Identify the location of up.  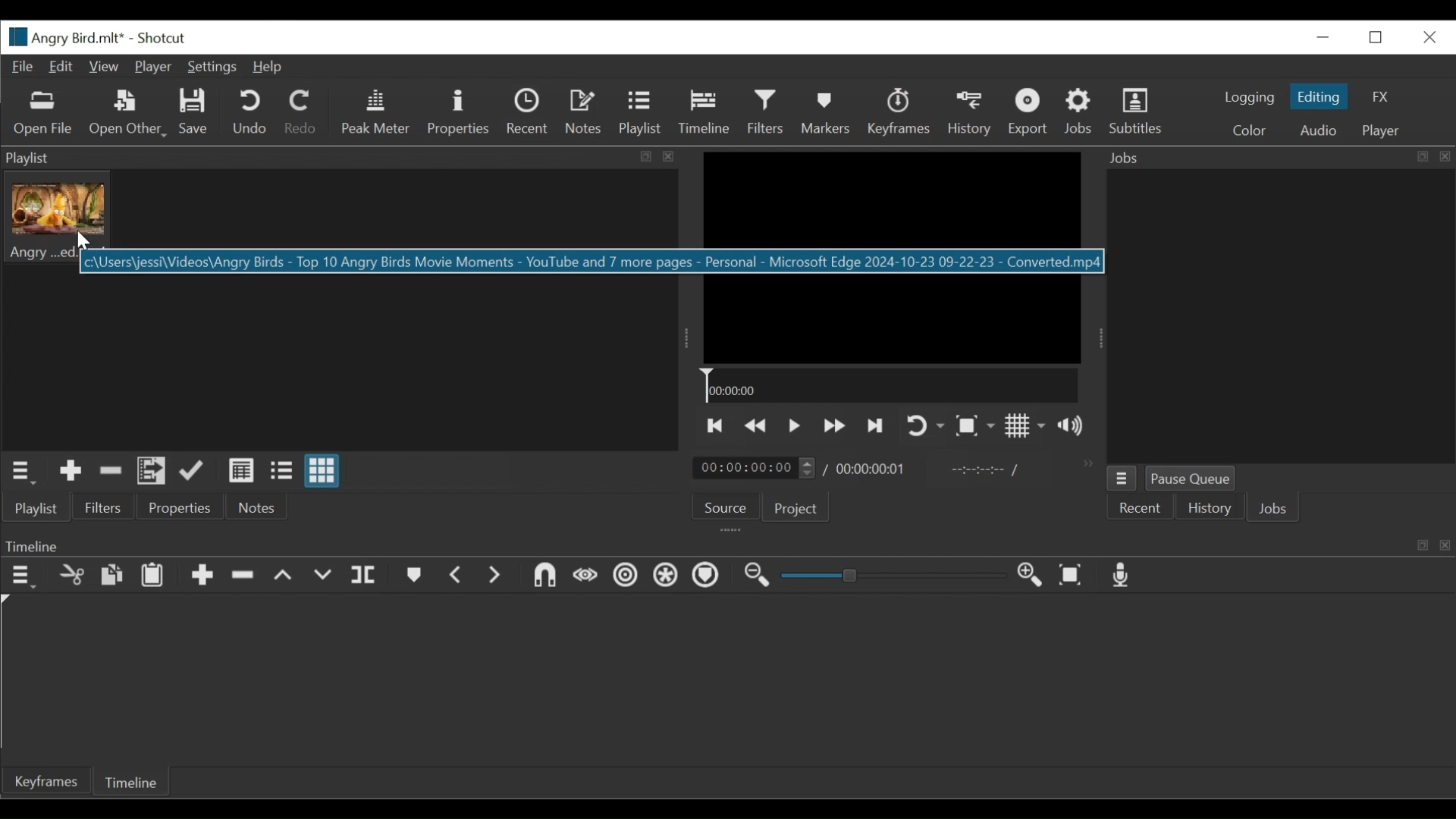
(289, 576).